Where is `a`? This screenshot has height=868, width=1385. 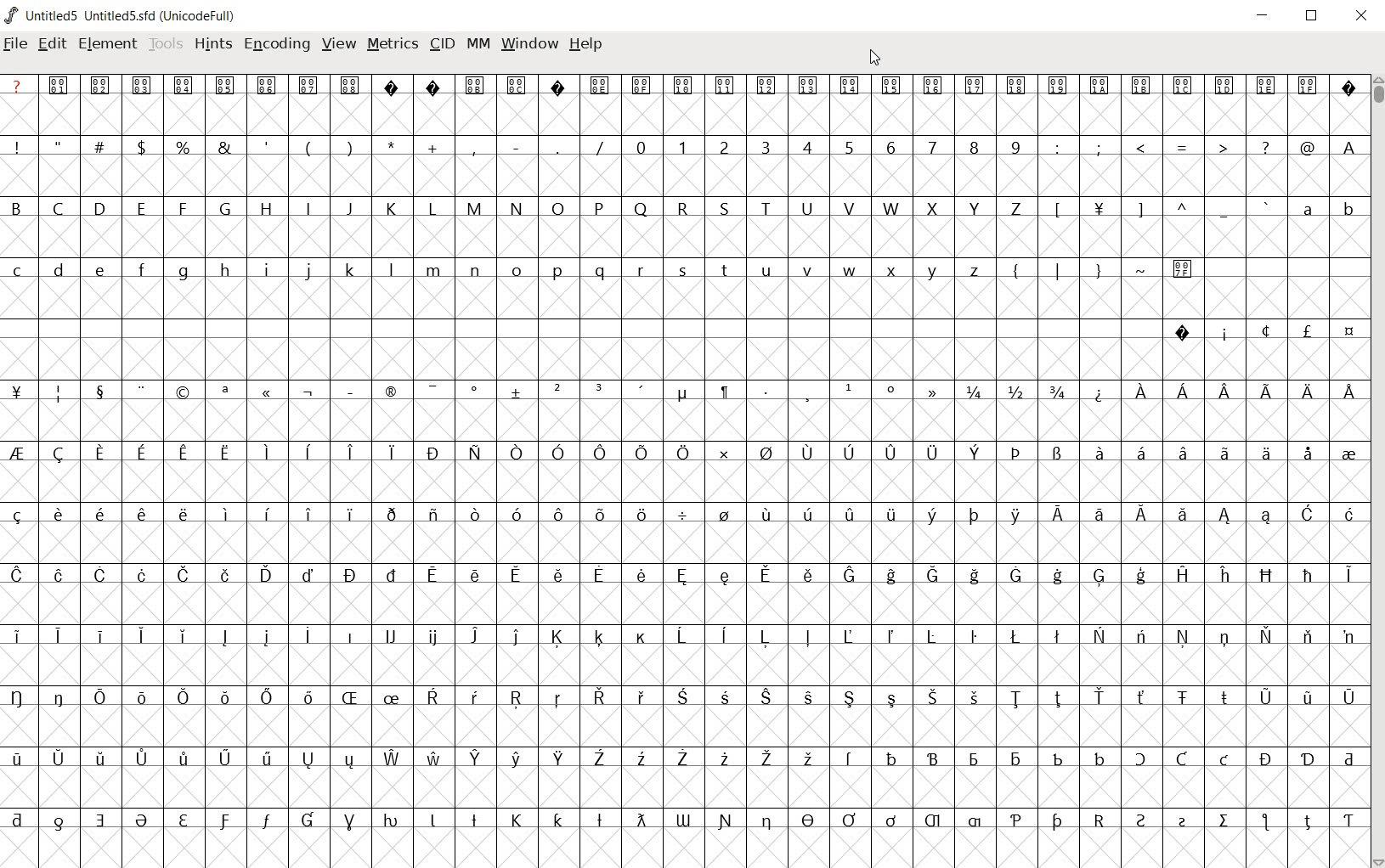 a is located at coordinates (1309, 208).